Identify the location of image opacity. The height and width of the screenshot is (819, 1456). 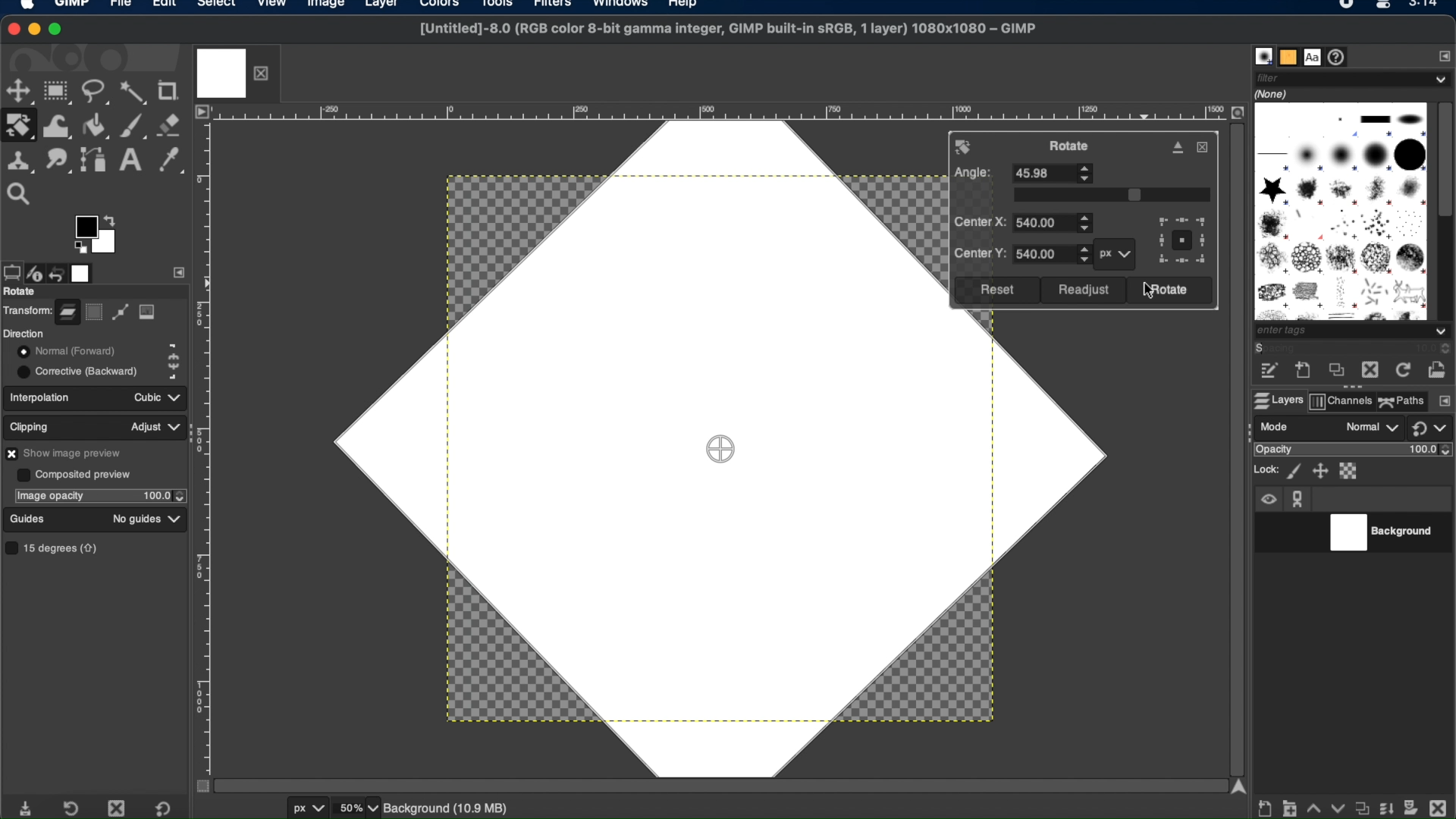
(49, 496).